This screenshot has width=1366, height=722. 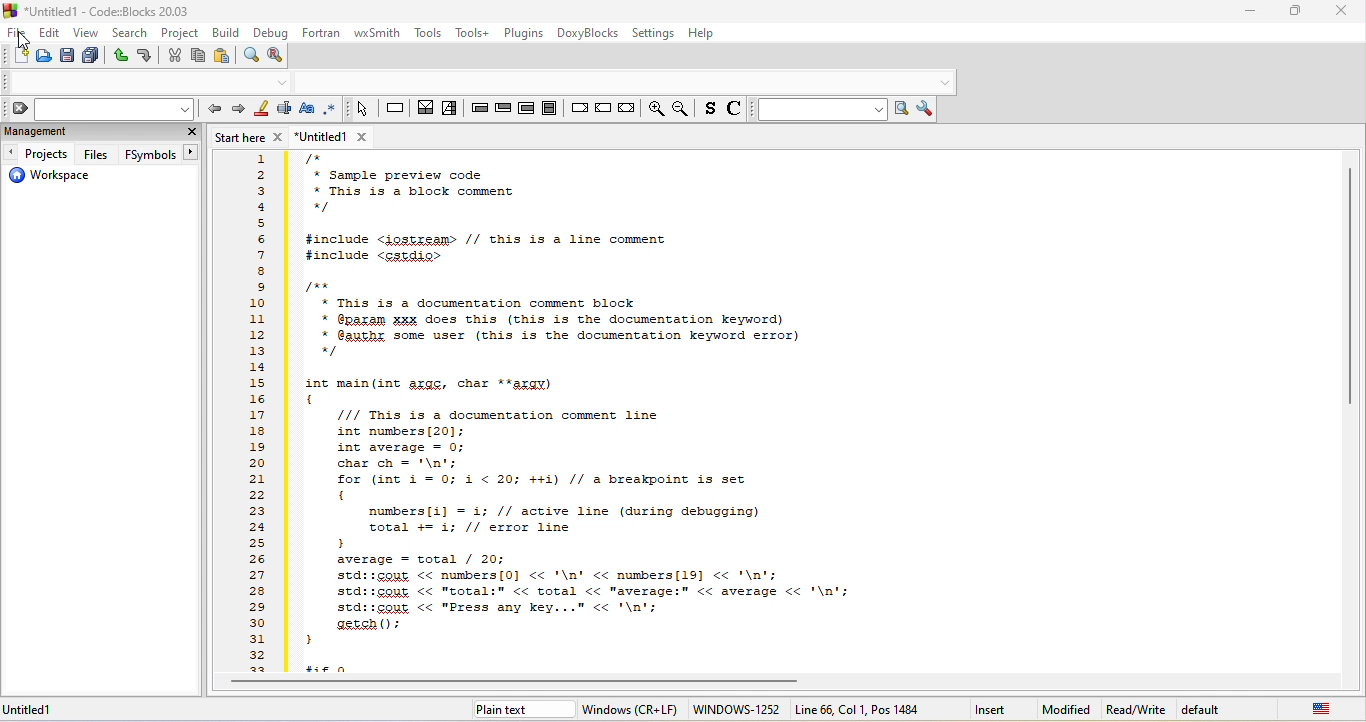 I want to click on vertical scroll bar, so click(x=1350, y=285).